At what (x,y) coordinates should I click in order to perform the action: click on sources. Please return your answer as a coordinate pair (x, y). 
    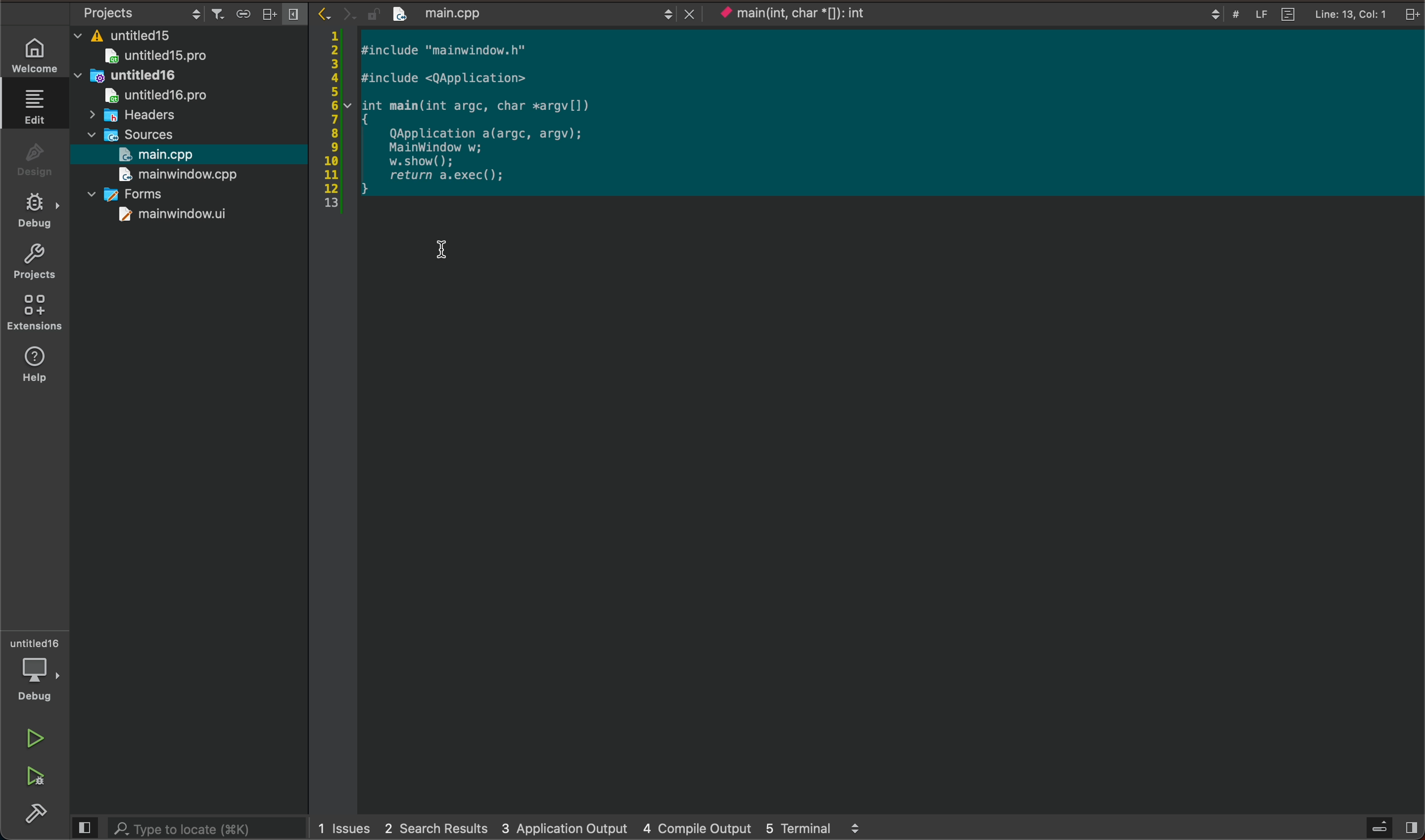
    Looking at the image, I should click on (134, 135).